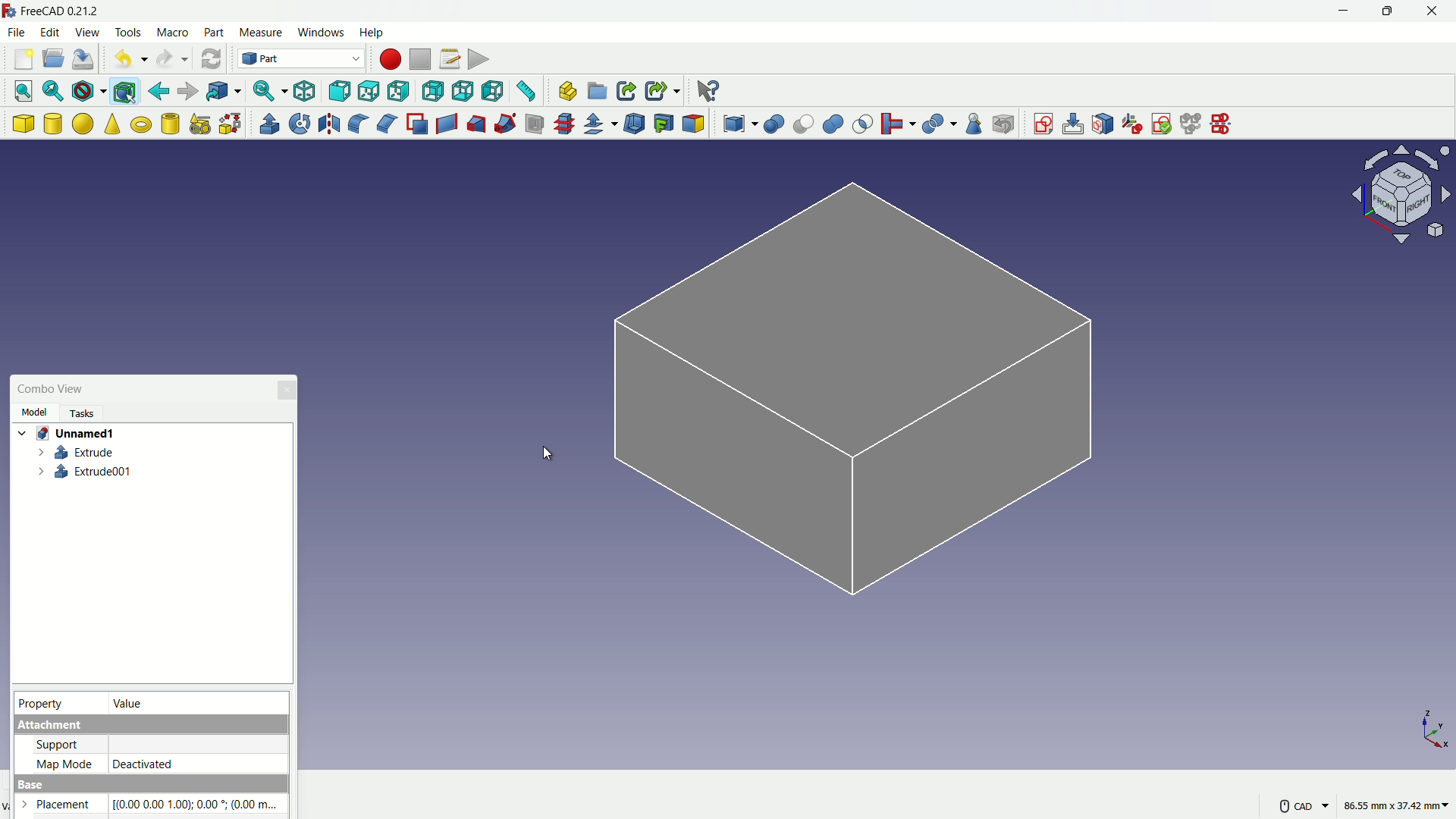 This screenshot has height=819, width=1456. What do you see at coordinates (775, 124) in the screenshot?
I see `boolean` at bounding box center [775, 124].